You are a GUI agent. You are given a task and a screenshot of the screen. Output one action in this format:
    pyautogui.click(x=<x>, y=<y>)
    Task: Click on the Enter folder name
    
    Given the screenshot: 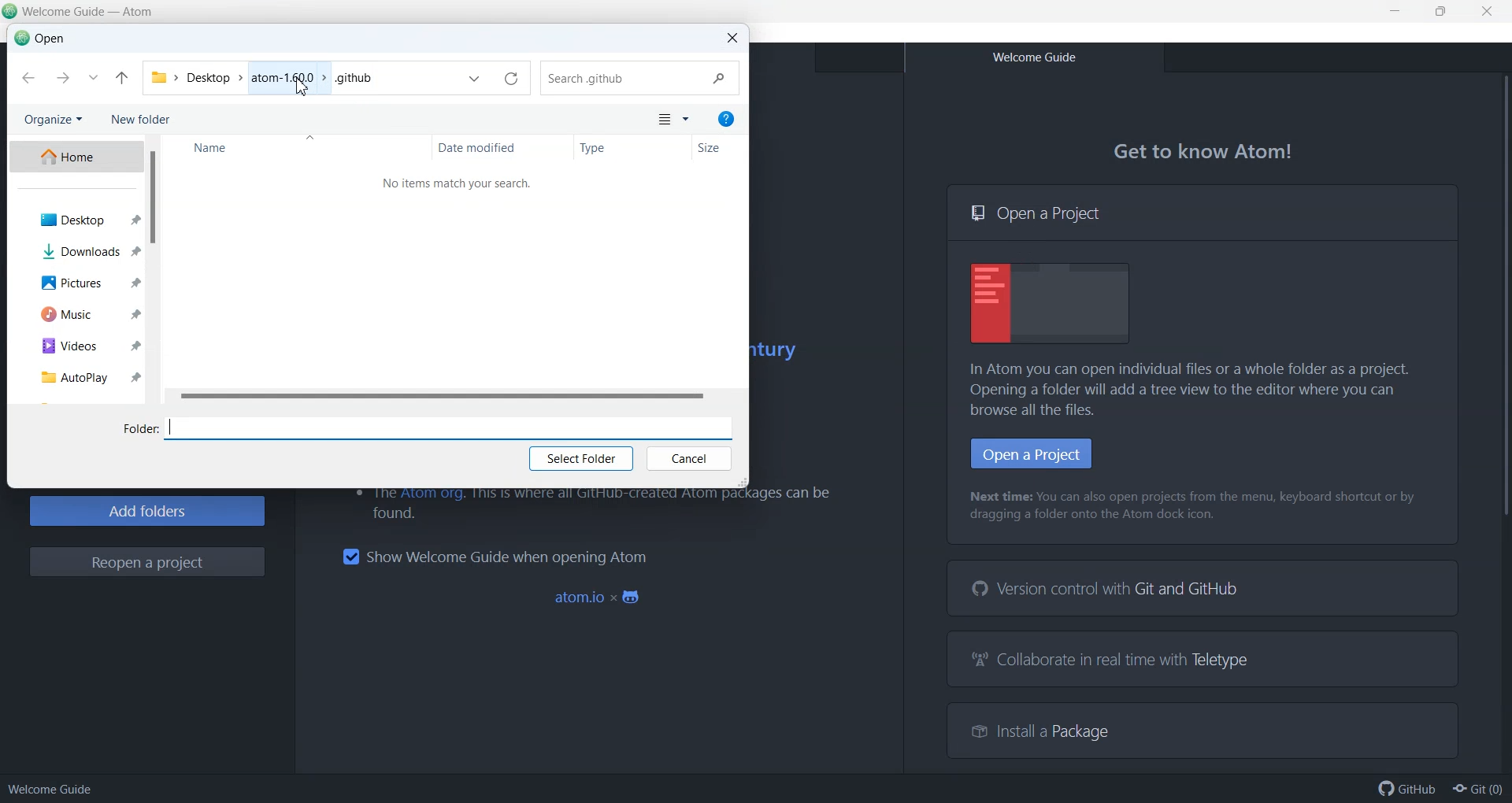 What is the action you would take?
    pyautogui.click(x=454, y=427)
    